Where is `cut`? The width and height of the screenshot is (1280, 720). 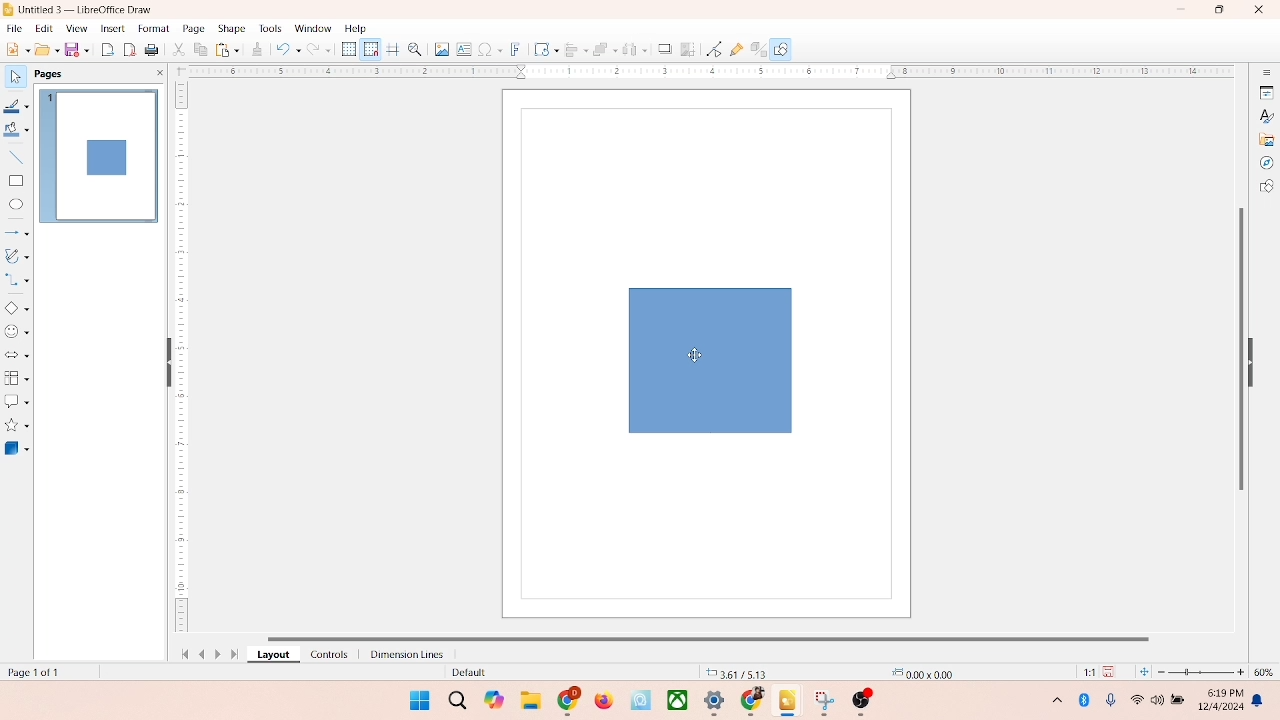 cut is located at coordinates (179, 51).